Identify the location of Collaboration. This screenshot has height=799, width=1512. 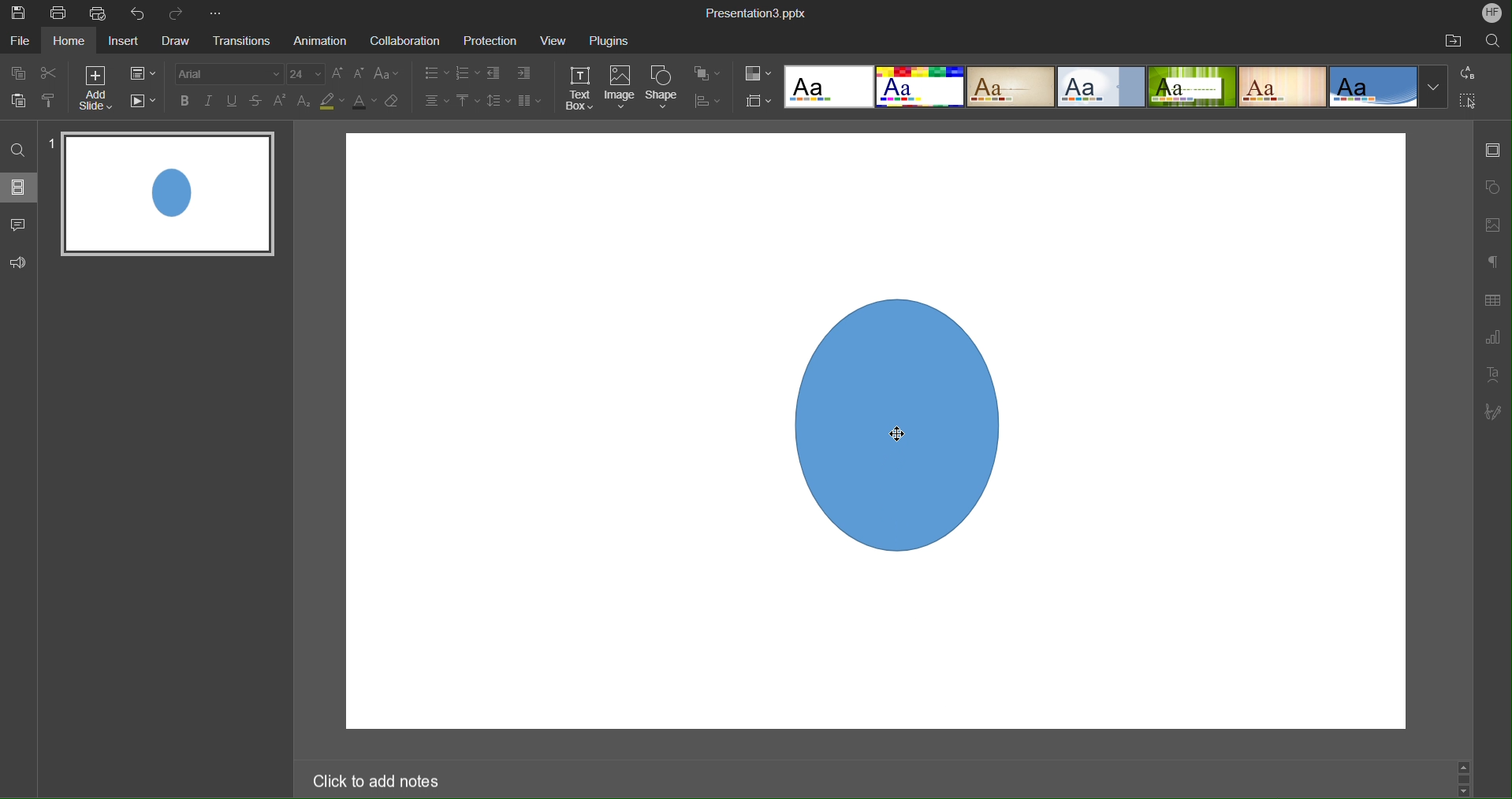
(404, 41).